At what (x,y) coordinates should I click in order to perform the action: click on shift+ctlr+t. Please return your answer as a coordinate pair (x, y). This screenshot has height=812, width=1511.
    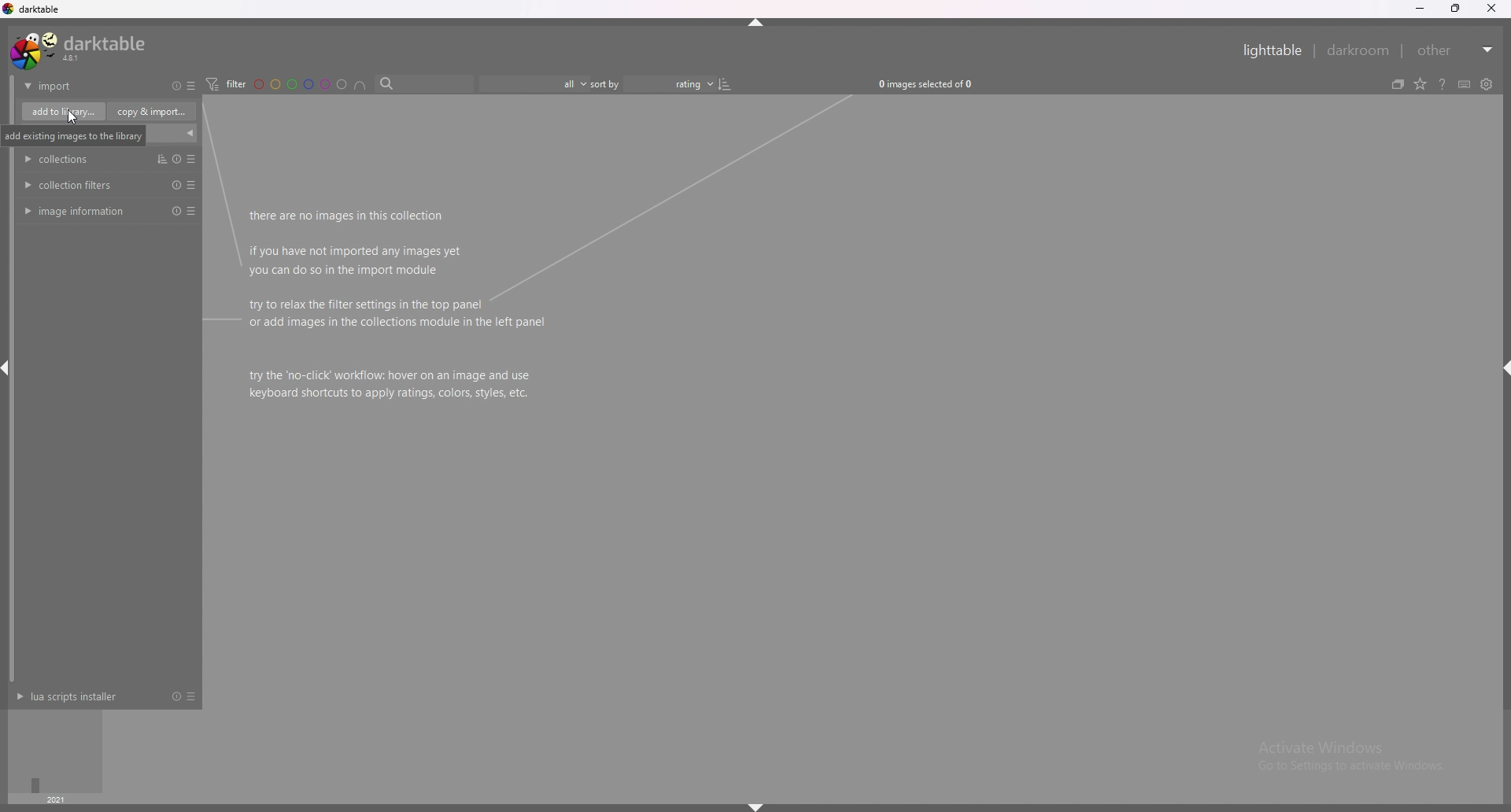
    Looking at the image, I should click on (758, 22).